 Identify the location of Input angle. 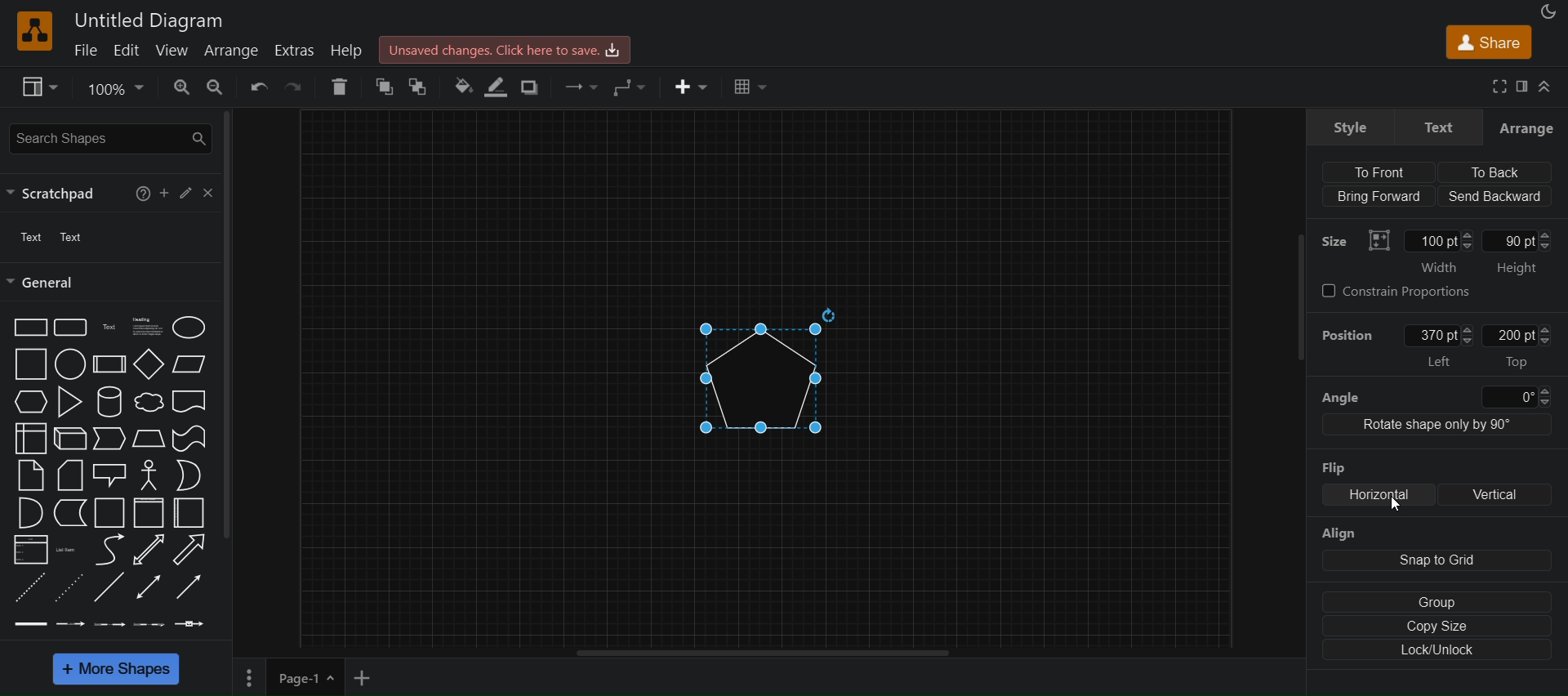
(1508, 397).